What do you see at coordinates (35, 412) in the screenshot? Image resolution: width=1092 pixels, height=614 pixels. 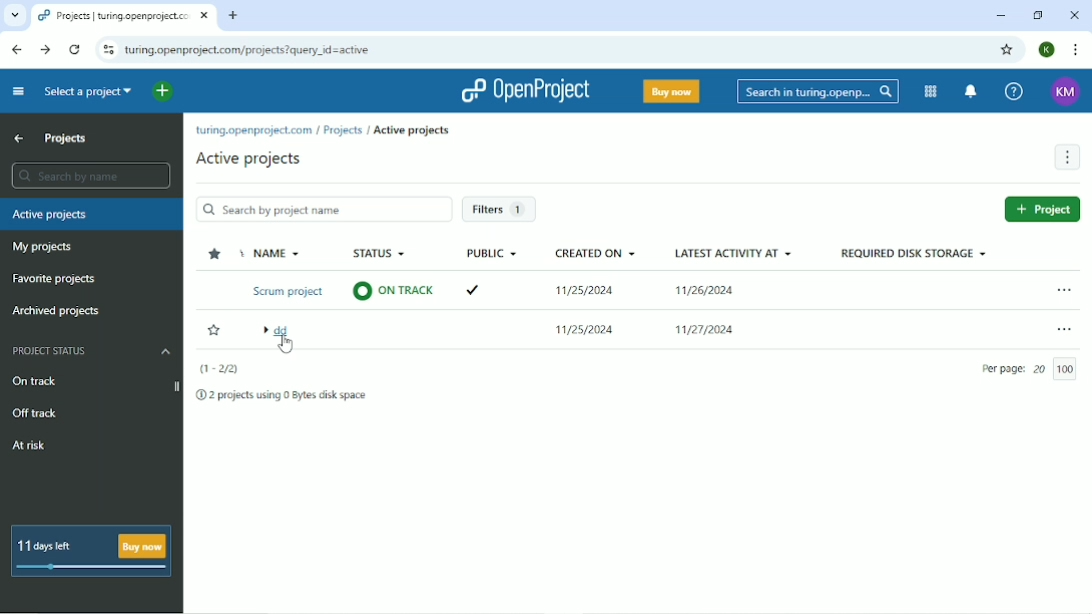 I see `Off track` at bounding box center [35, 412].